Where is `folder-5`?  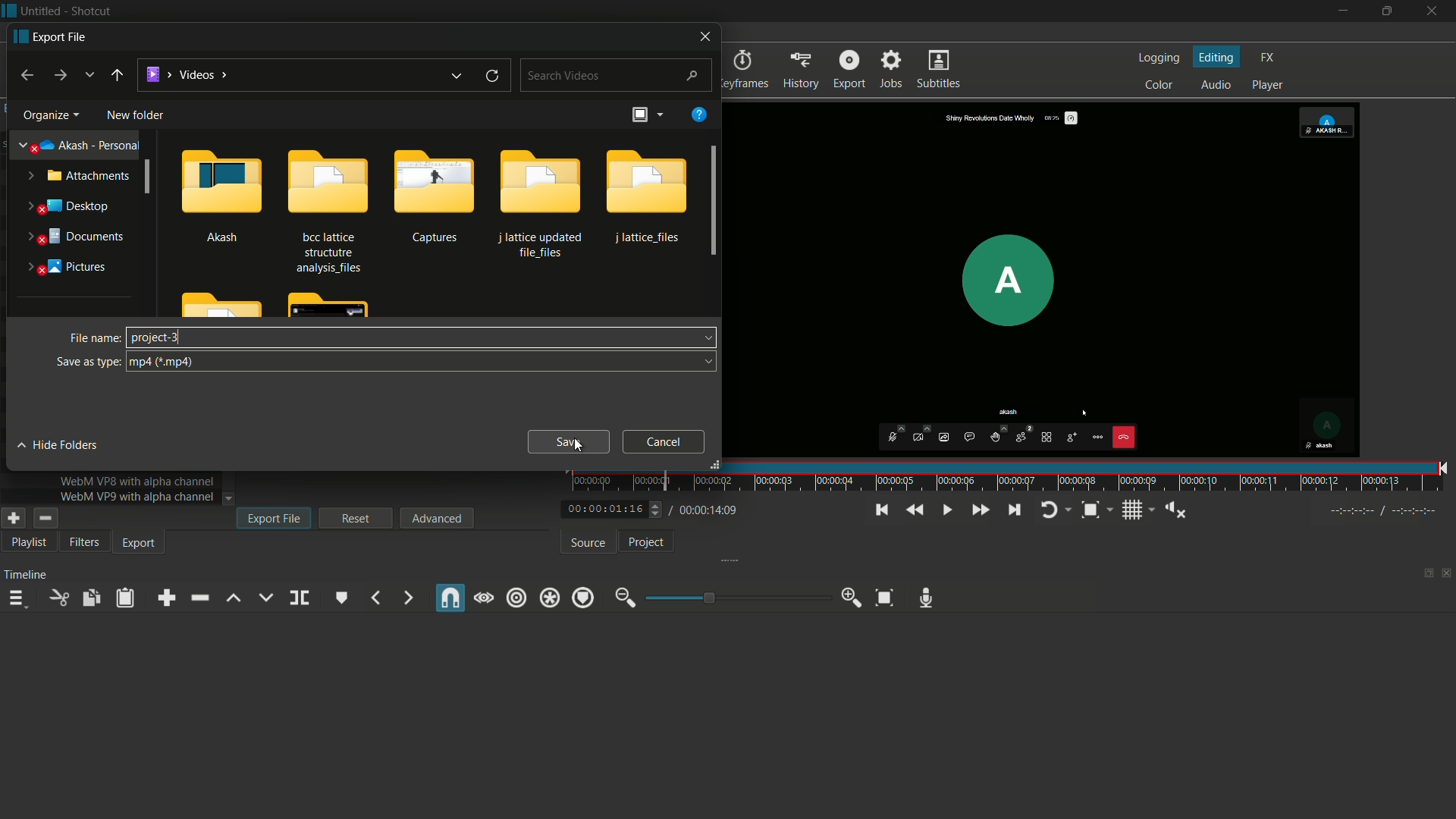 folder-5 is located at coordinates (645, 196).